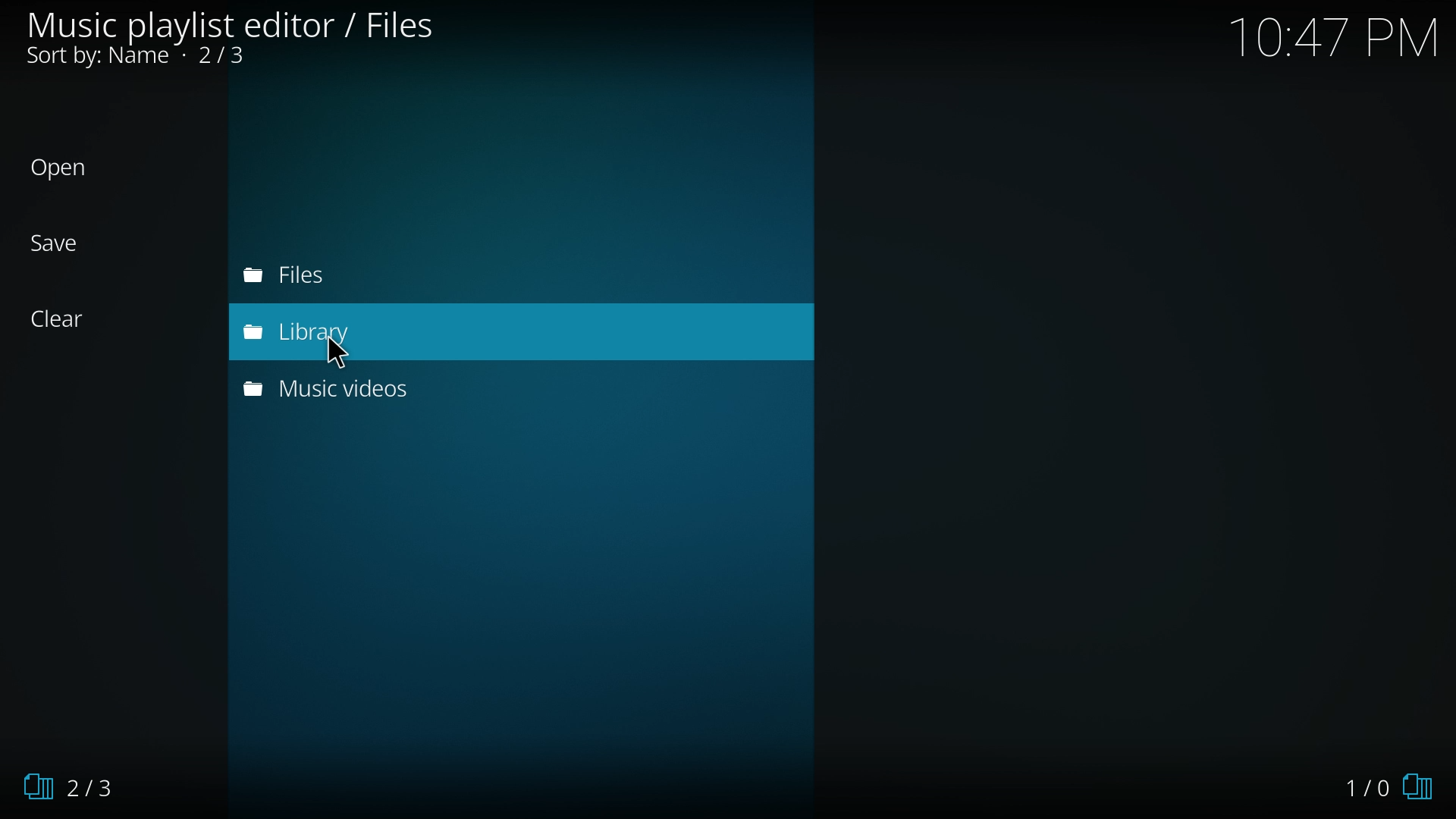  Describe the element at coordinates (353, 354) in the screenshot. I see `Cursor` at that location.